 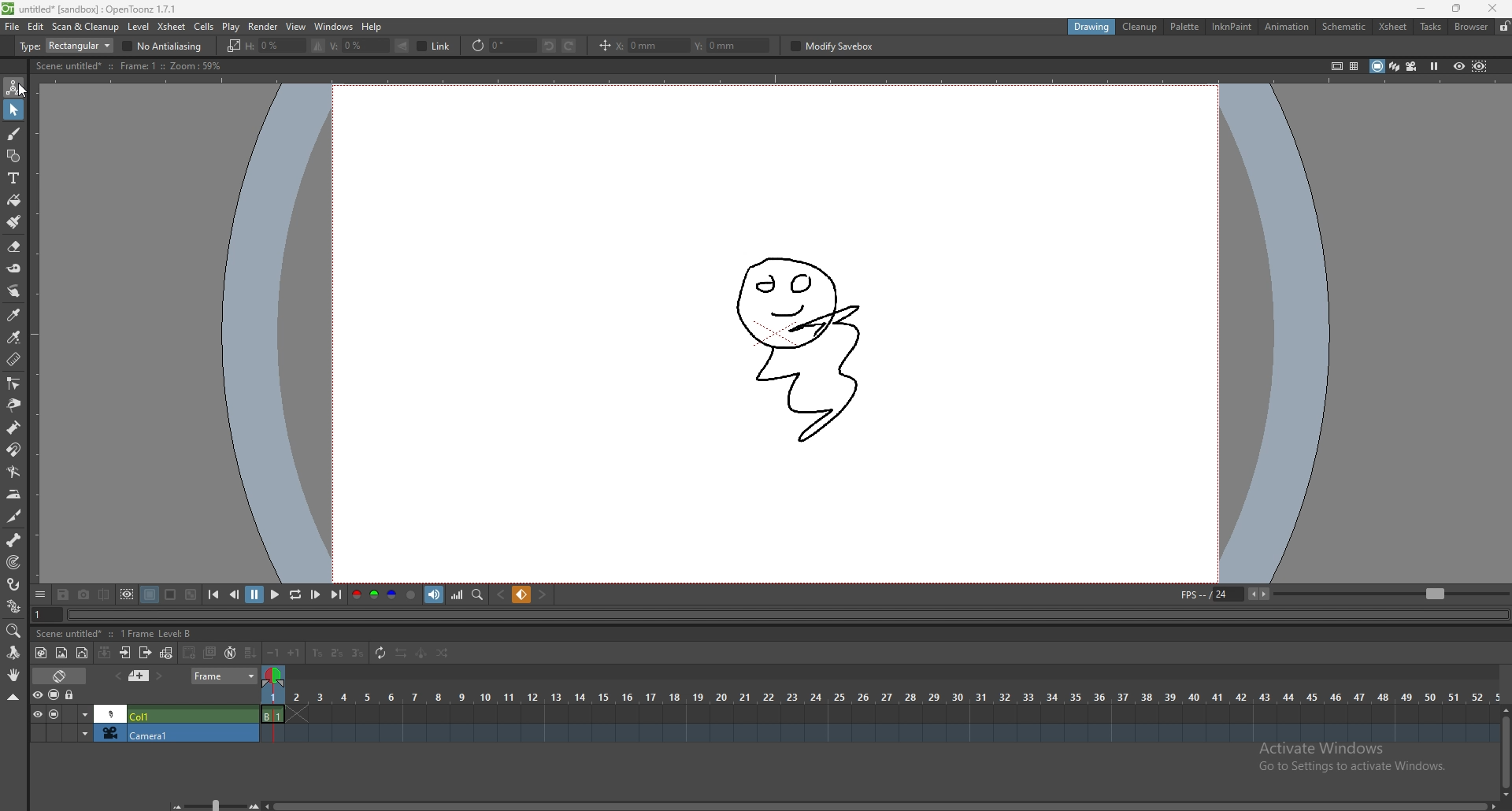 I want to click on collapse, so click(x=105, y=652).